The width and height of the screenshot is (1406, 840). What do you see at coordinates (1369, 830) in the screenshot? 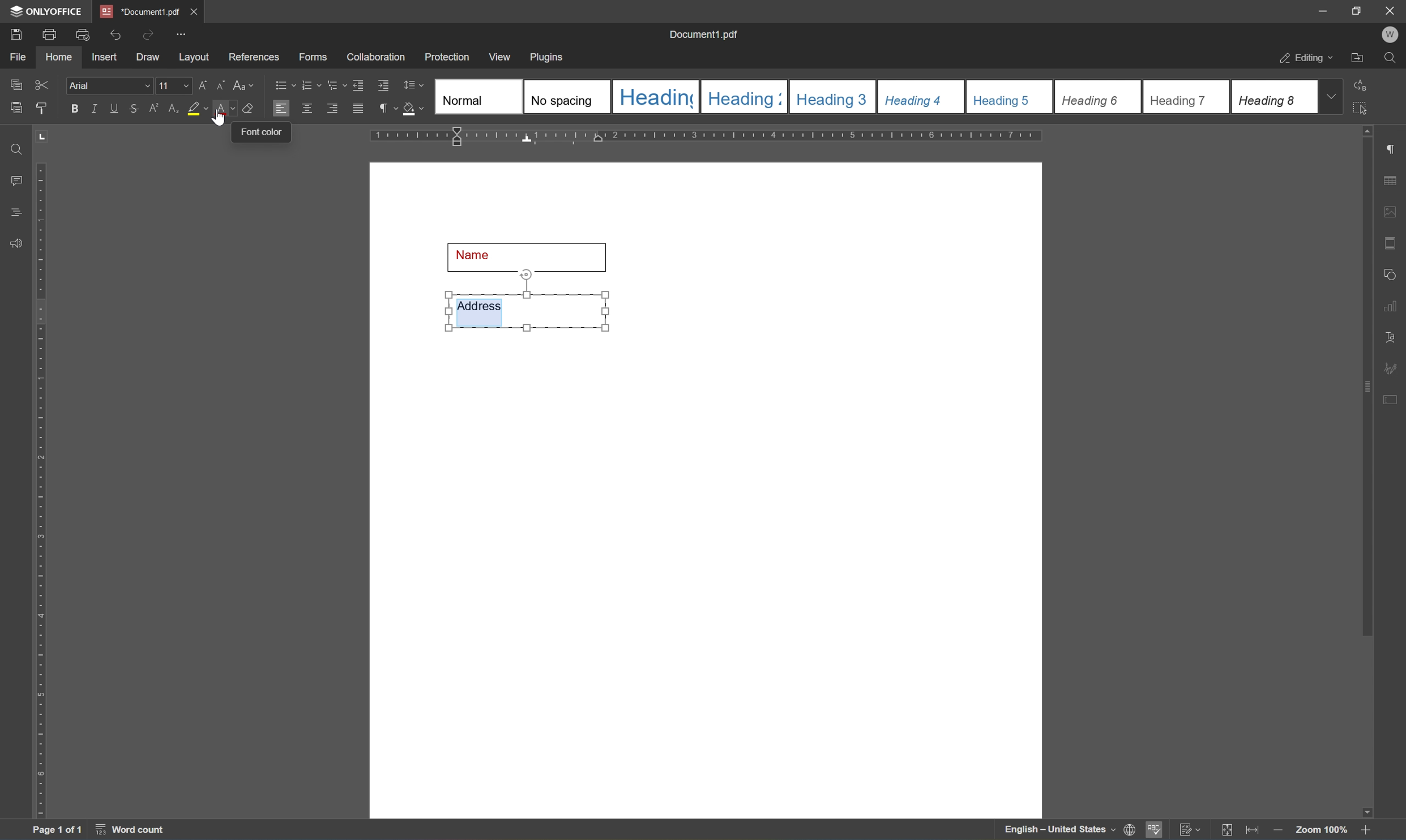
I see `zoom out` at bounding box center [1369, 830].